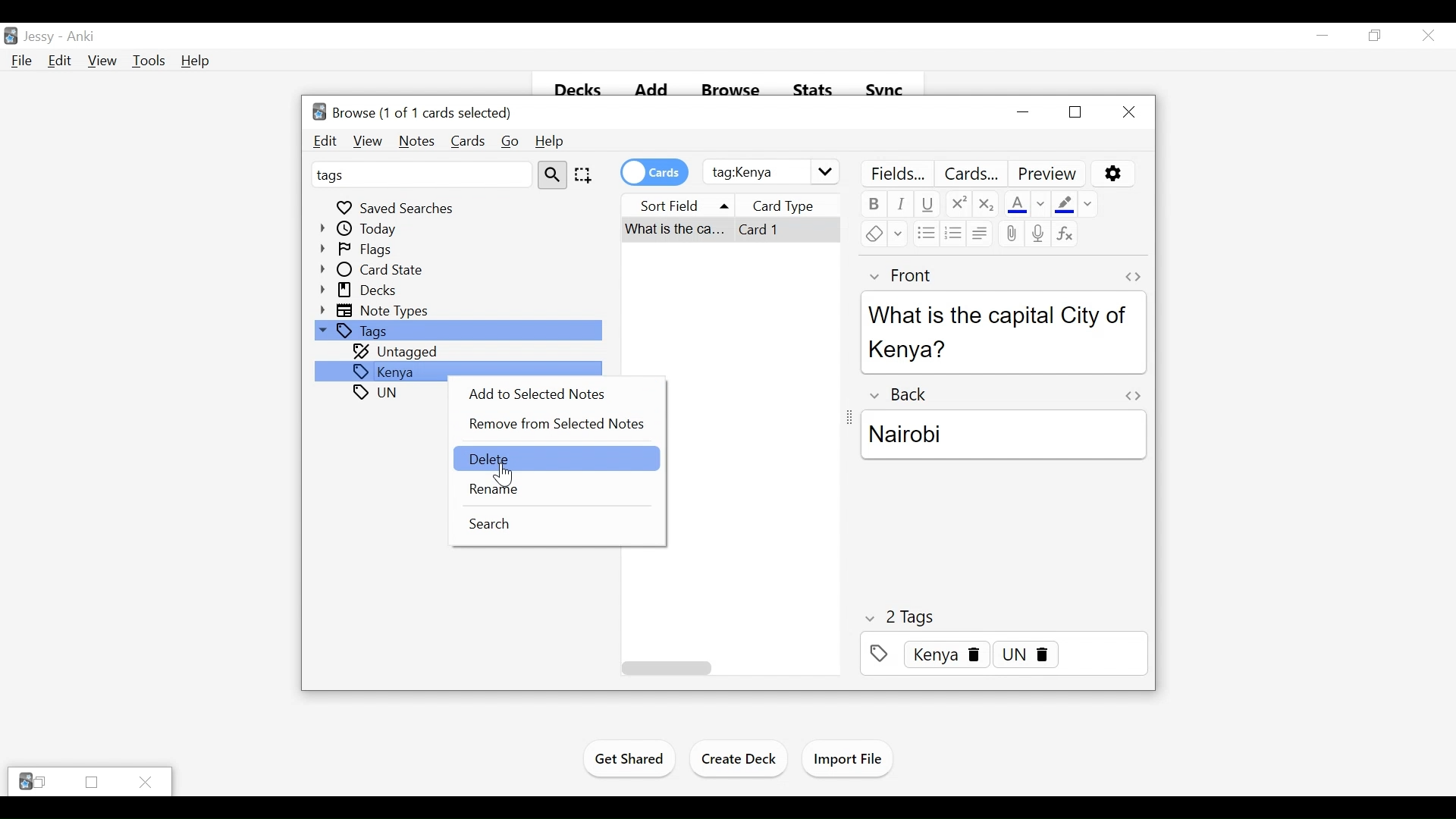  Describe the element at coordinates (102, 61) in the screenshot. I see `View` at that location.